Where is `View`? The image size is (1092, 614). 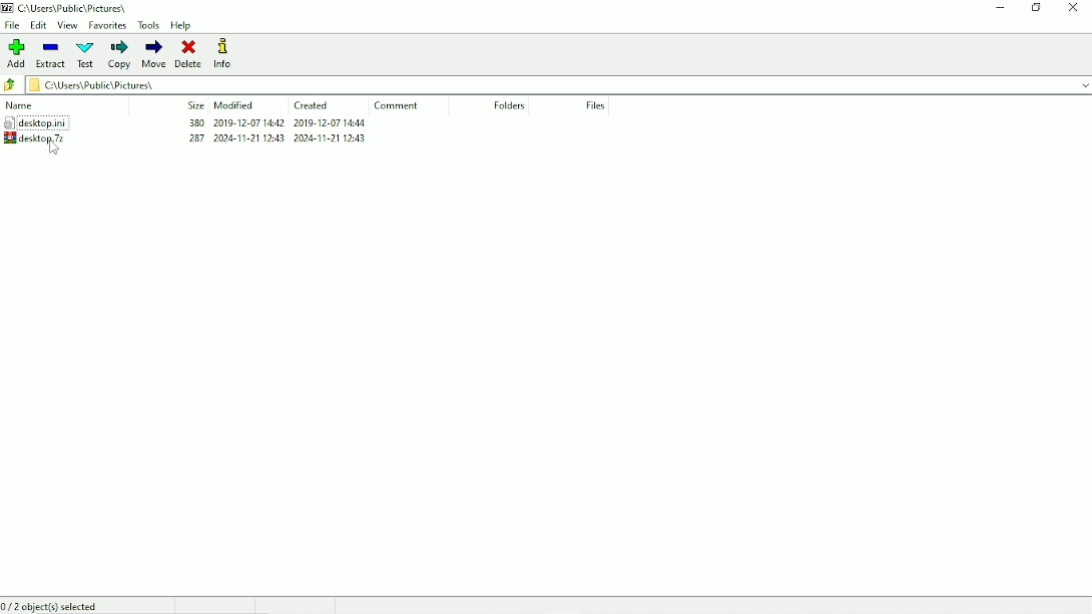
View is located at coordinates (67, 25).